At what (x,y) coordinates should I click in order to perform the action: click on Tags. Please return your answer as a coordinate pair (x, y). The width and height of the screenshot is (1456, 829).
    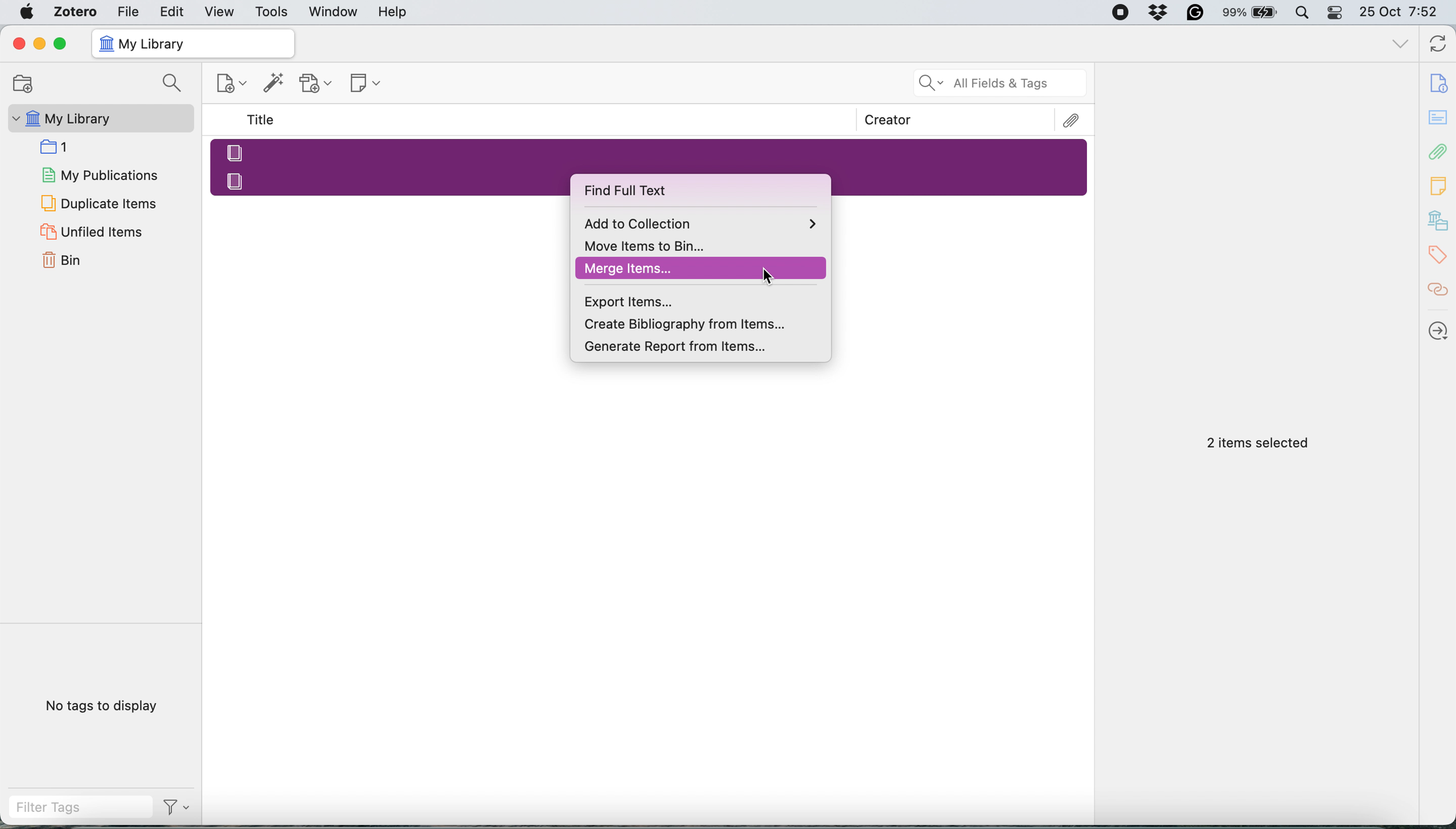
    Looking at the image, I should click on (1441, 255).